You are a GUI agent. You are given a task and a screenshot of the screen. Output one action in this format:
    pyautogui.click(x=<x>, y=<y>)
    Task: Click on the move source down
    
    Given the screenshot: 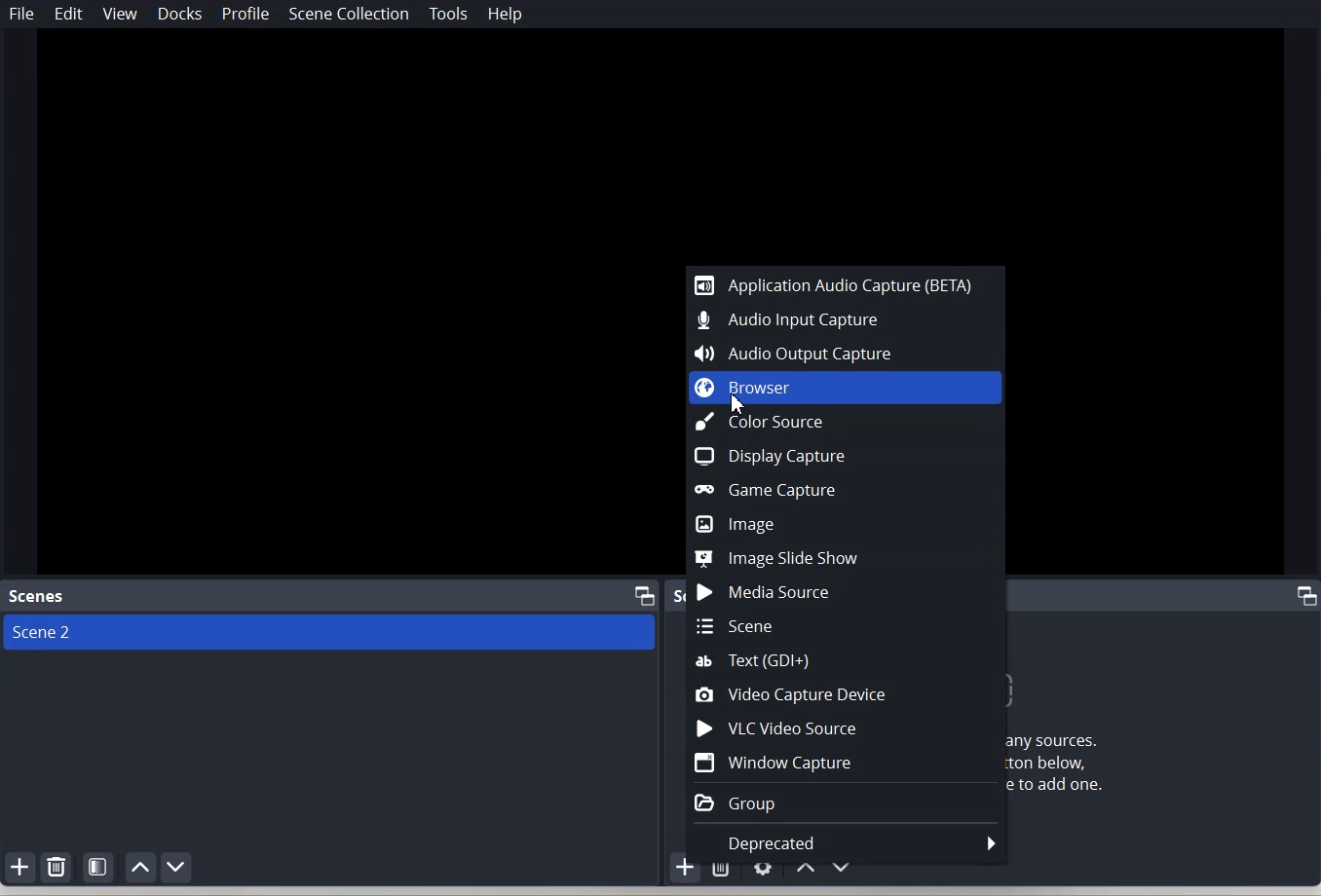 What is the action you would take?
    pyautogui.click(x=840, y=873)
    